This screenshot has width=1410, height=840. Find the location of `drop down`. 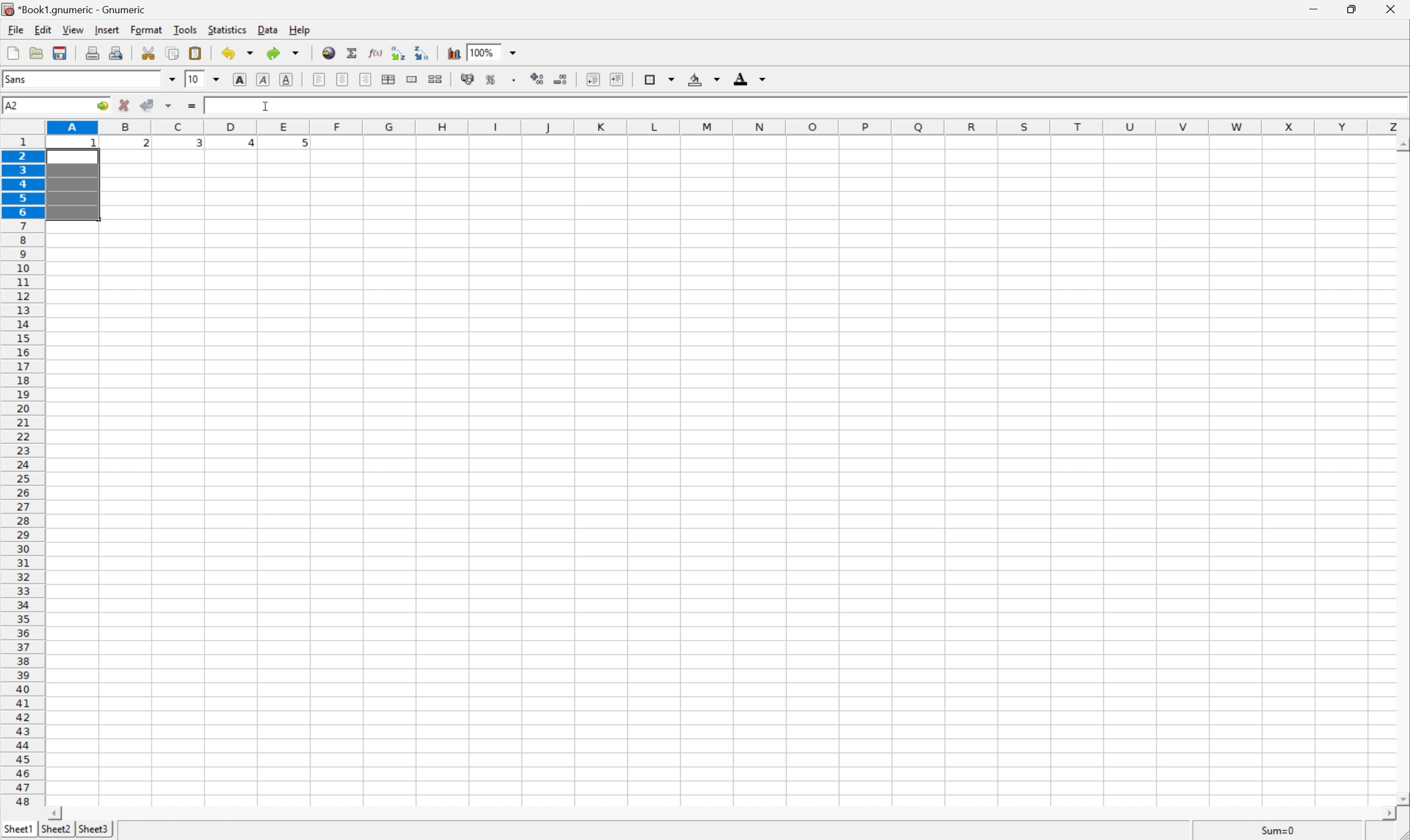

drop down is located at coordinates (514, 53).